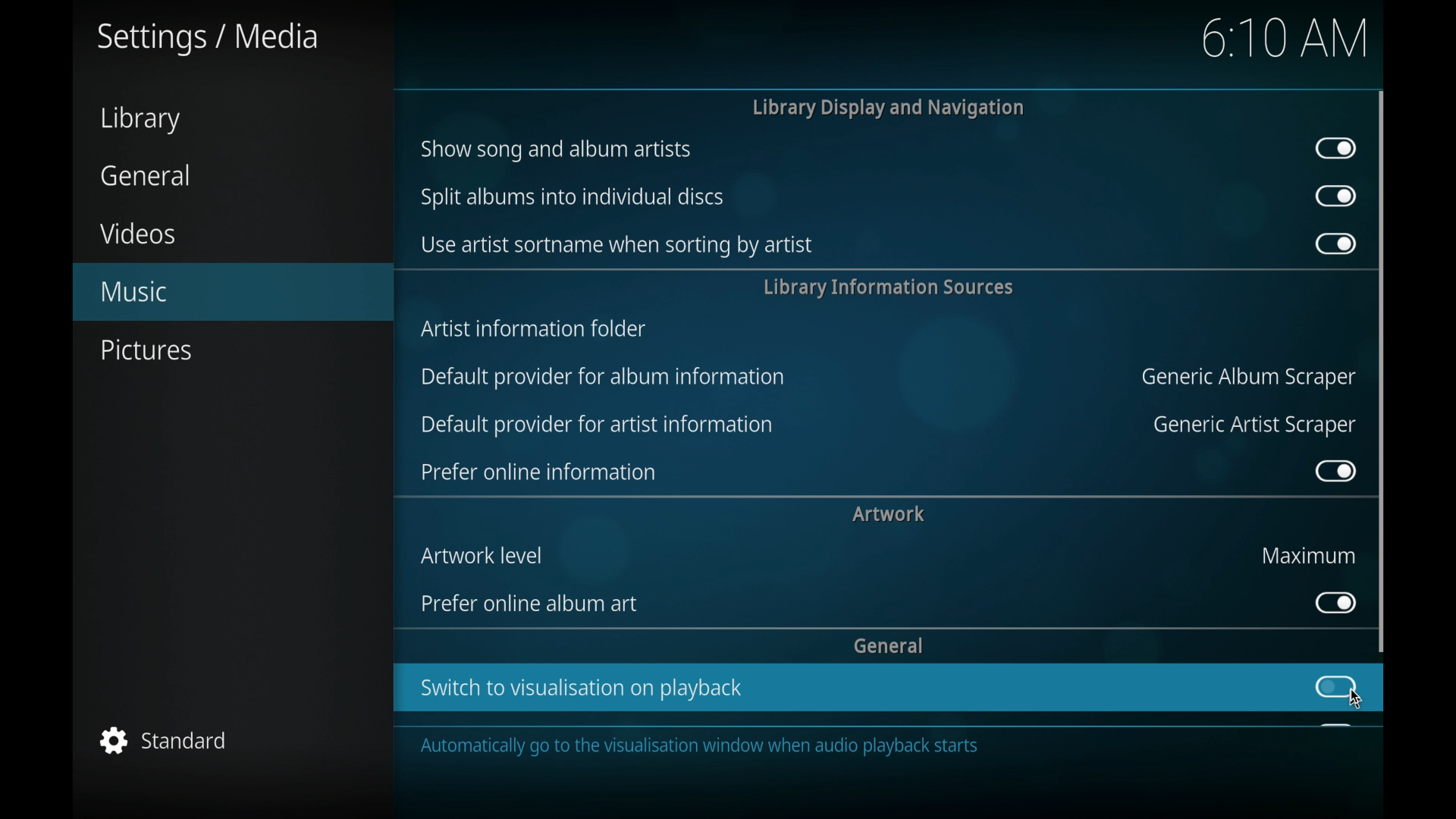  Describe the element at coordinates (836, 746) in the screenshot. I see `info` at that location.